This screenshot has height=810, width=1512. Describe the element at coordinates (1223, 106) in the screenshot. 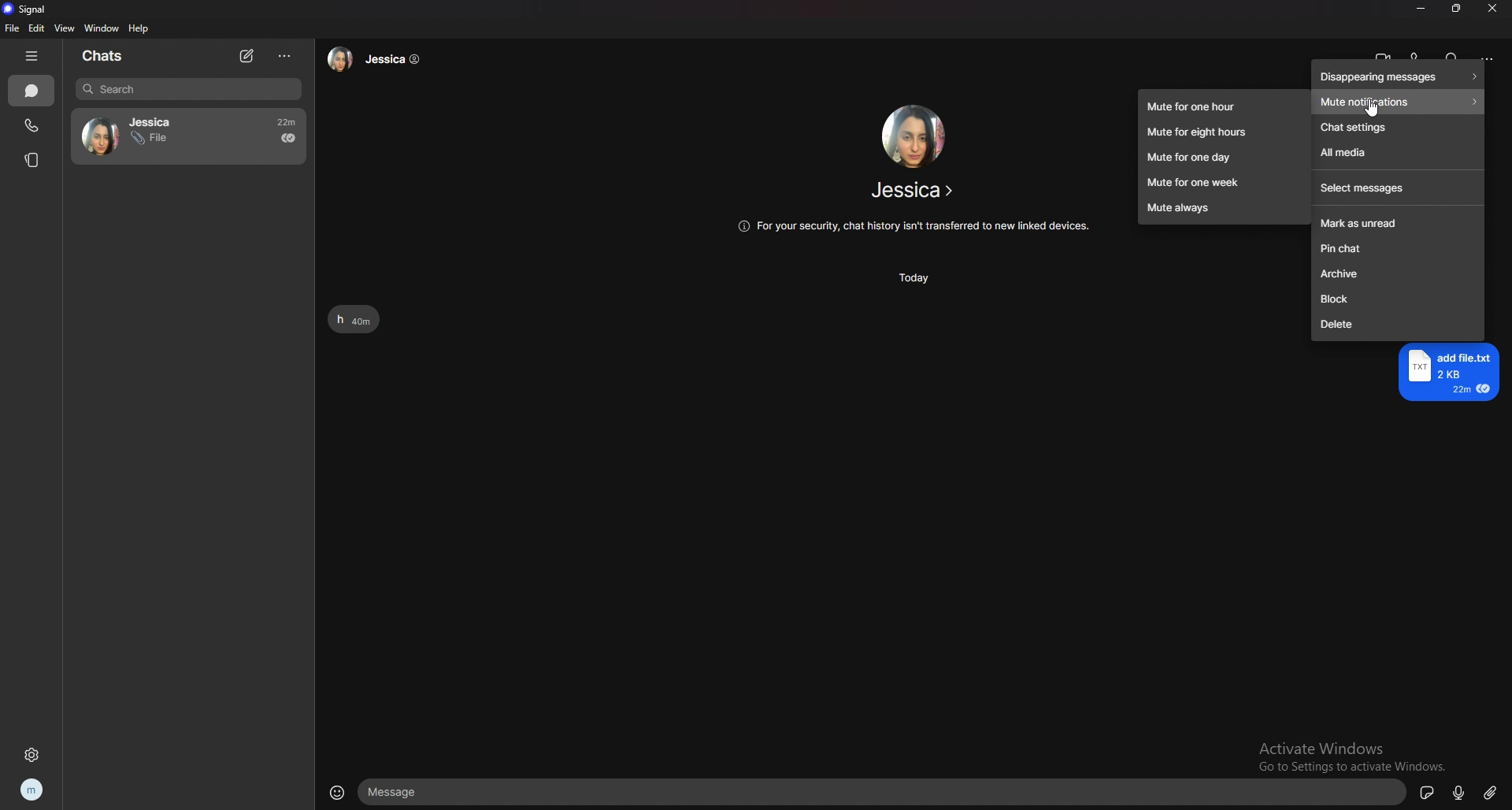

I see `mute for one hour` at that location.